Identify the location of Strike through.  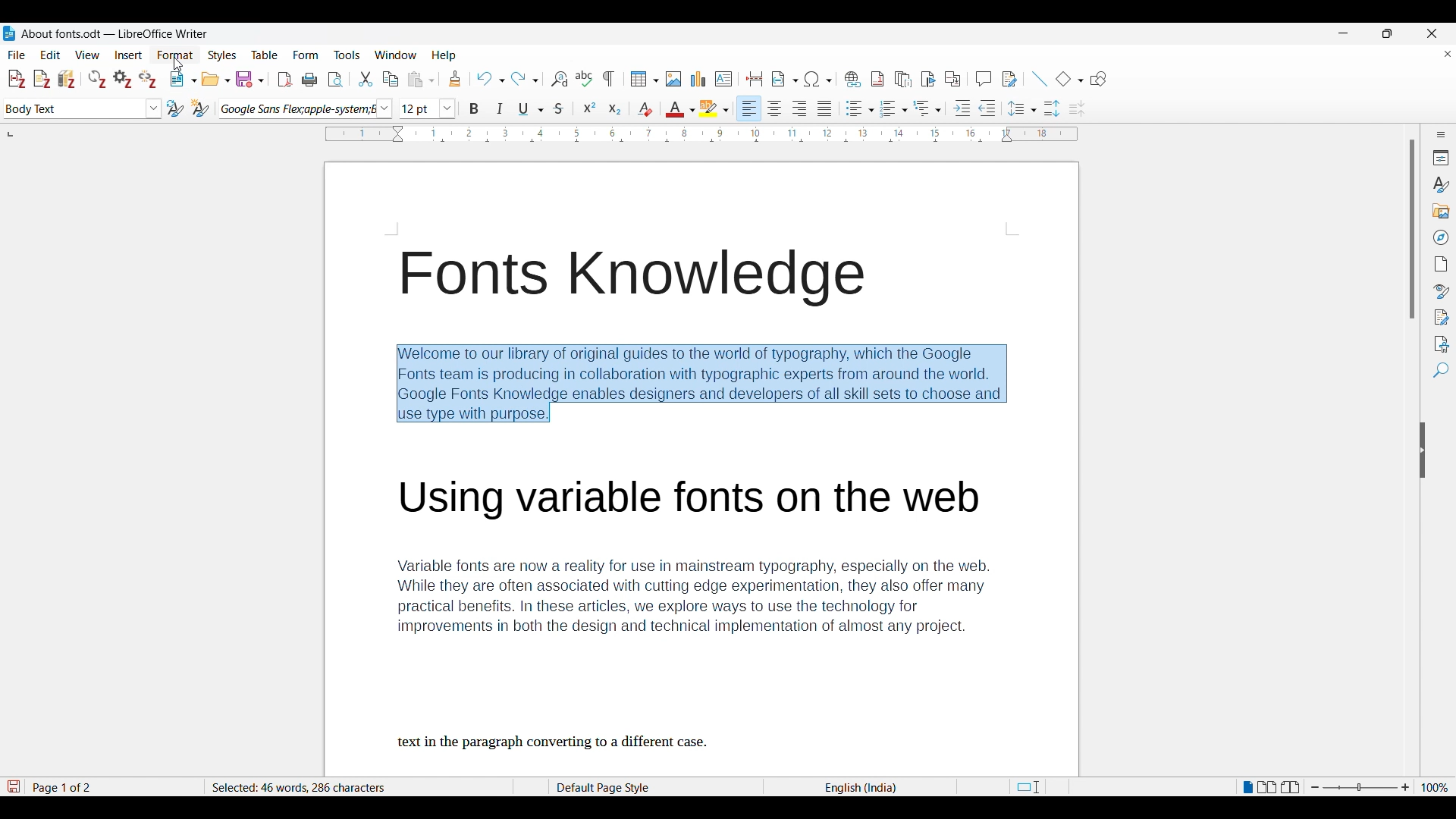
(560, 108).